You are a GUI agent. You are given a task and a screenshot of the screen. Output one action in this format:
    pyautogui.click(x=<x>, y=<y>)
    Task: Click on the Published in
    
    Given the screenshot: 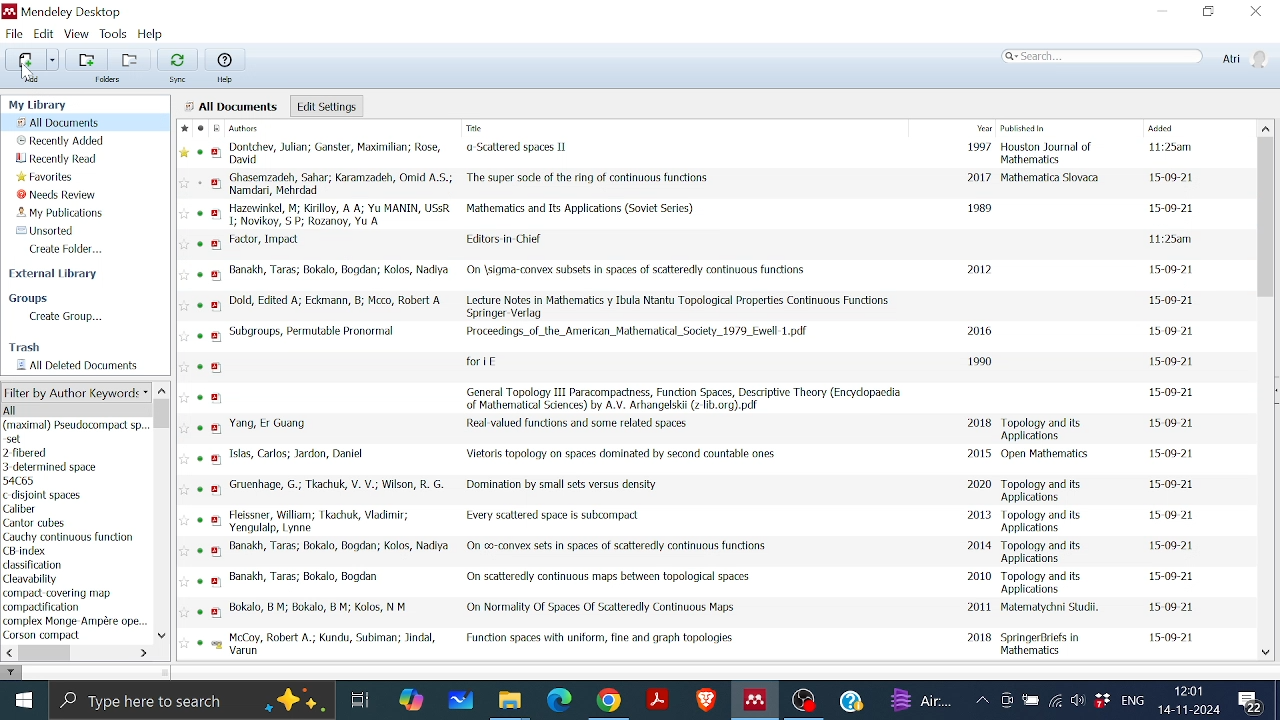 What is the action you would take?
    pyautogui.click(x=1042, y=490)
    